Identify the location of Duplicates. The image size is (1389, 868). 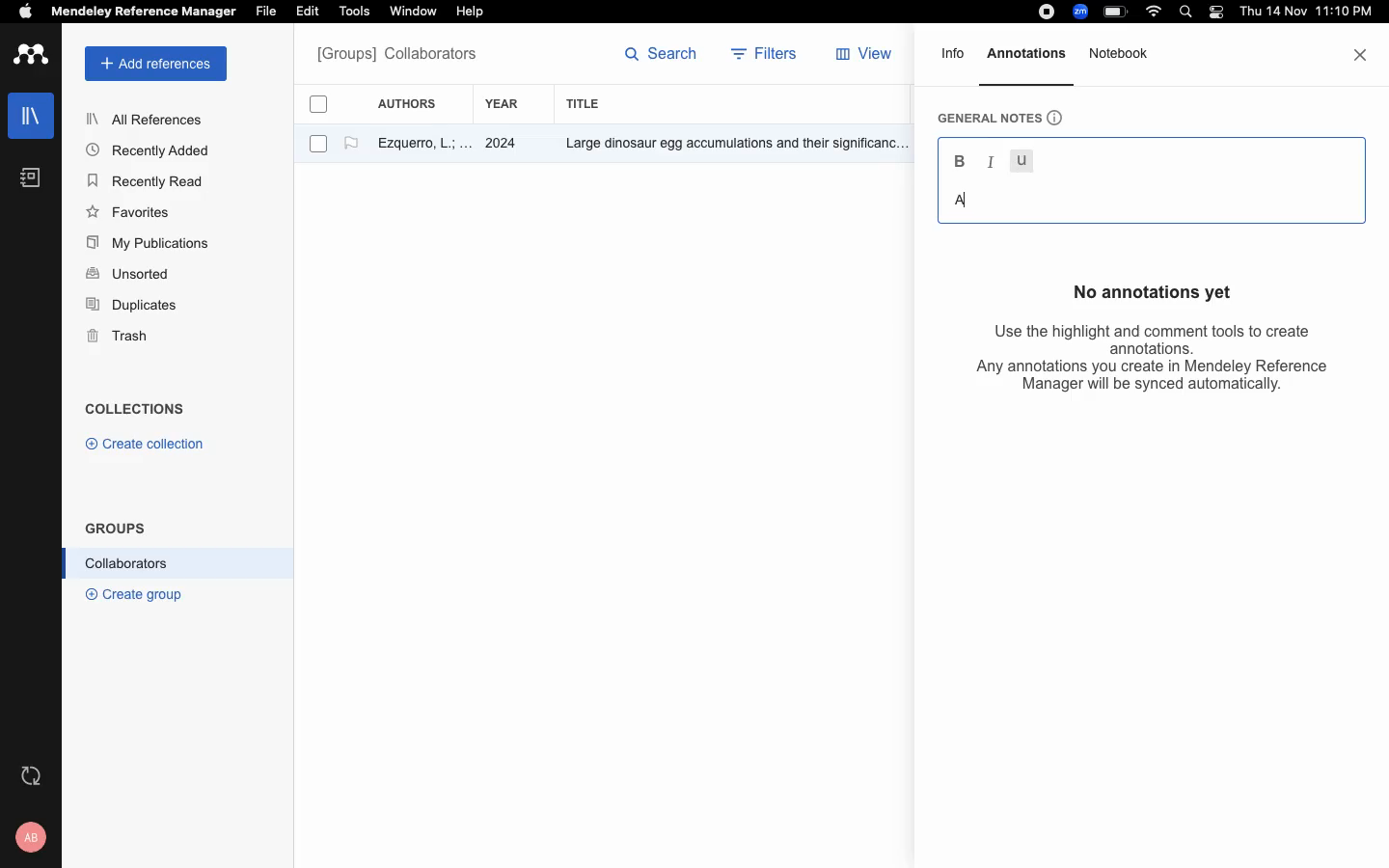
(133, 306).